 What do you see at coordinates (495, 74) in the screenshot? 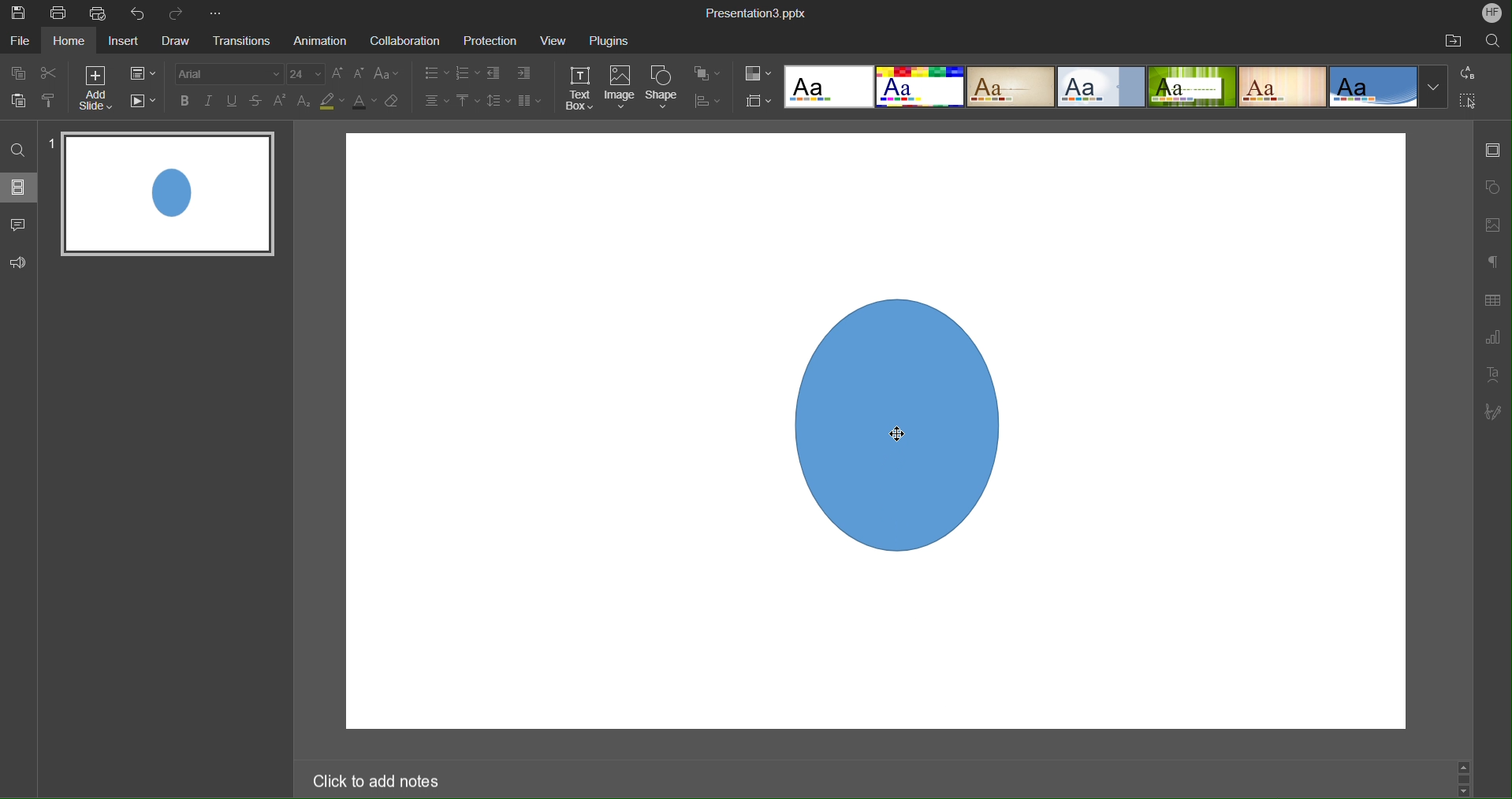
I see `Decrease Indent` at bounding box center [495, 74].